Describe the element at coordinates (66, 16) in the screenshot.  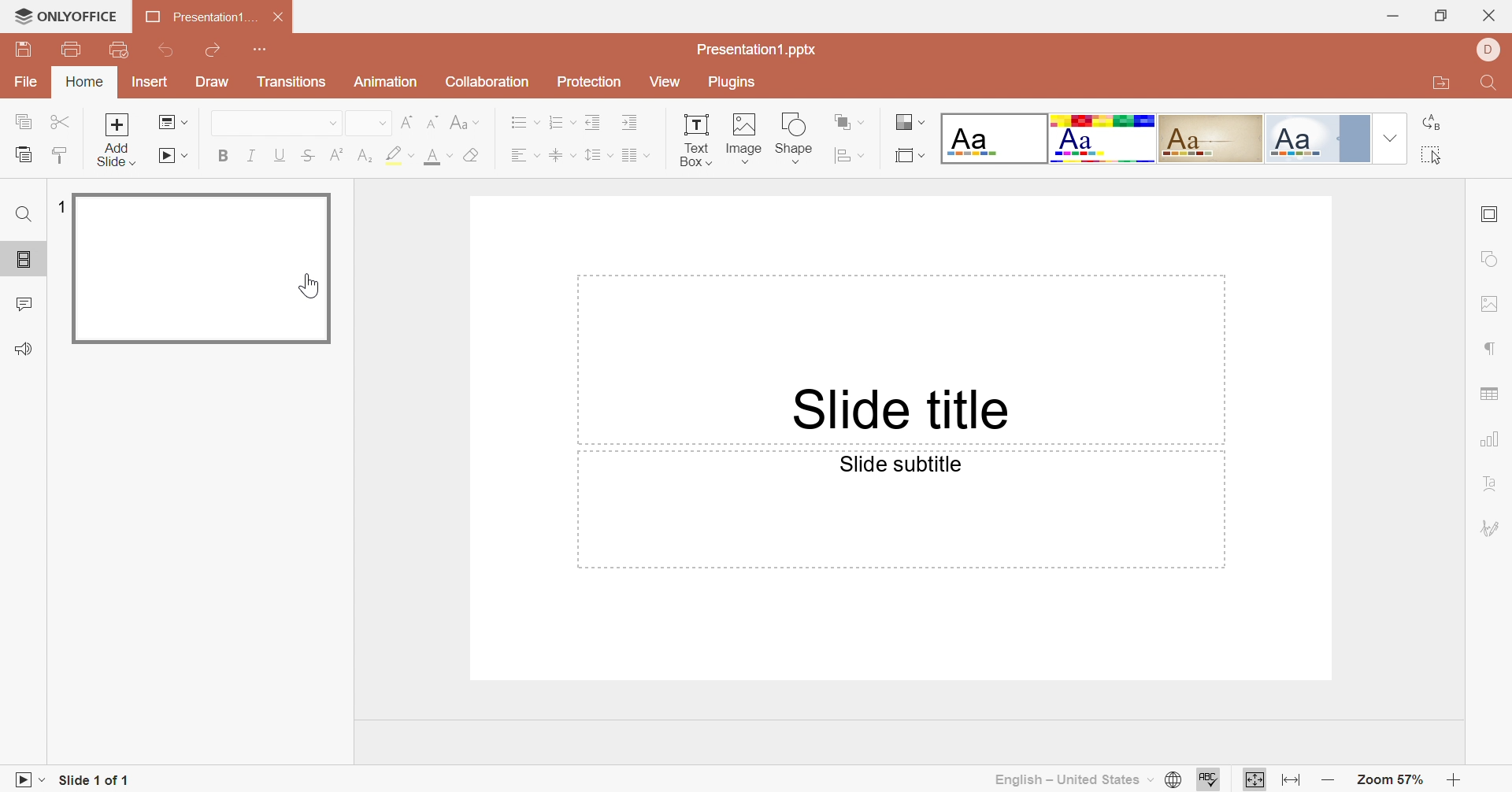
I see `ONLYOFFICE` at that location.